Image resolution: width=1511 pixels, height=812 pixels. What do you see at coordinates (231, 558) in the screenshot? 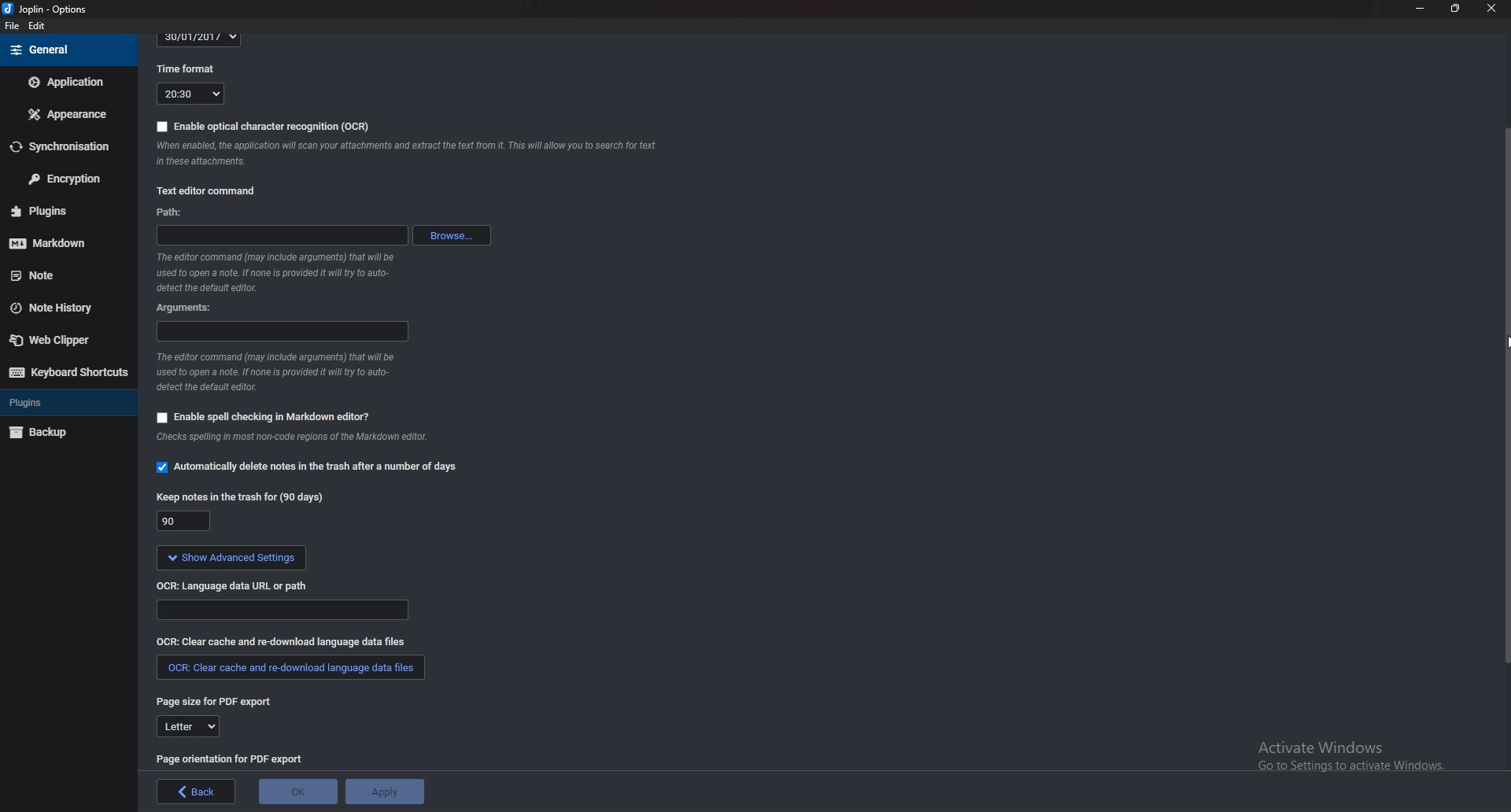
I see `show Advanced settings` at bounding box center [231, 558].